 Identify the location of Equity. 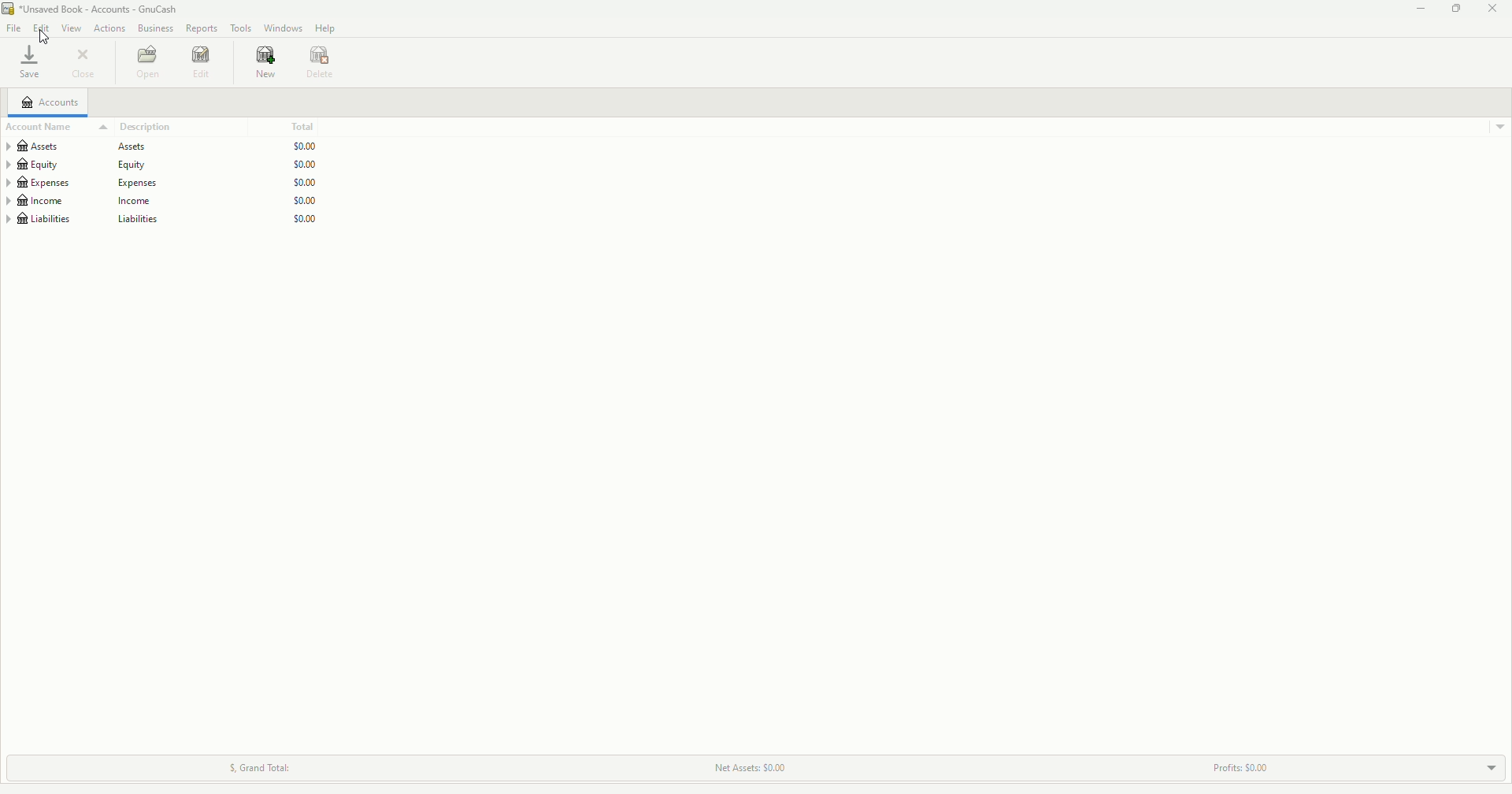
(162, 165).